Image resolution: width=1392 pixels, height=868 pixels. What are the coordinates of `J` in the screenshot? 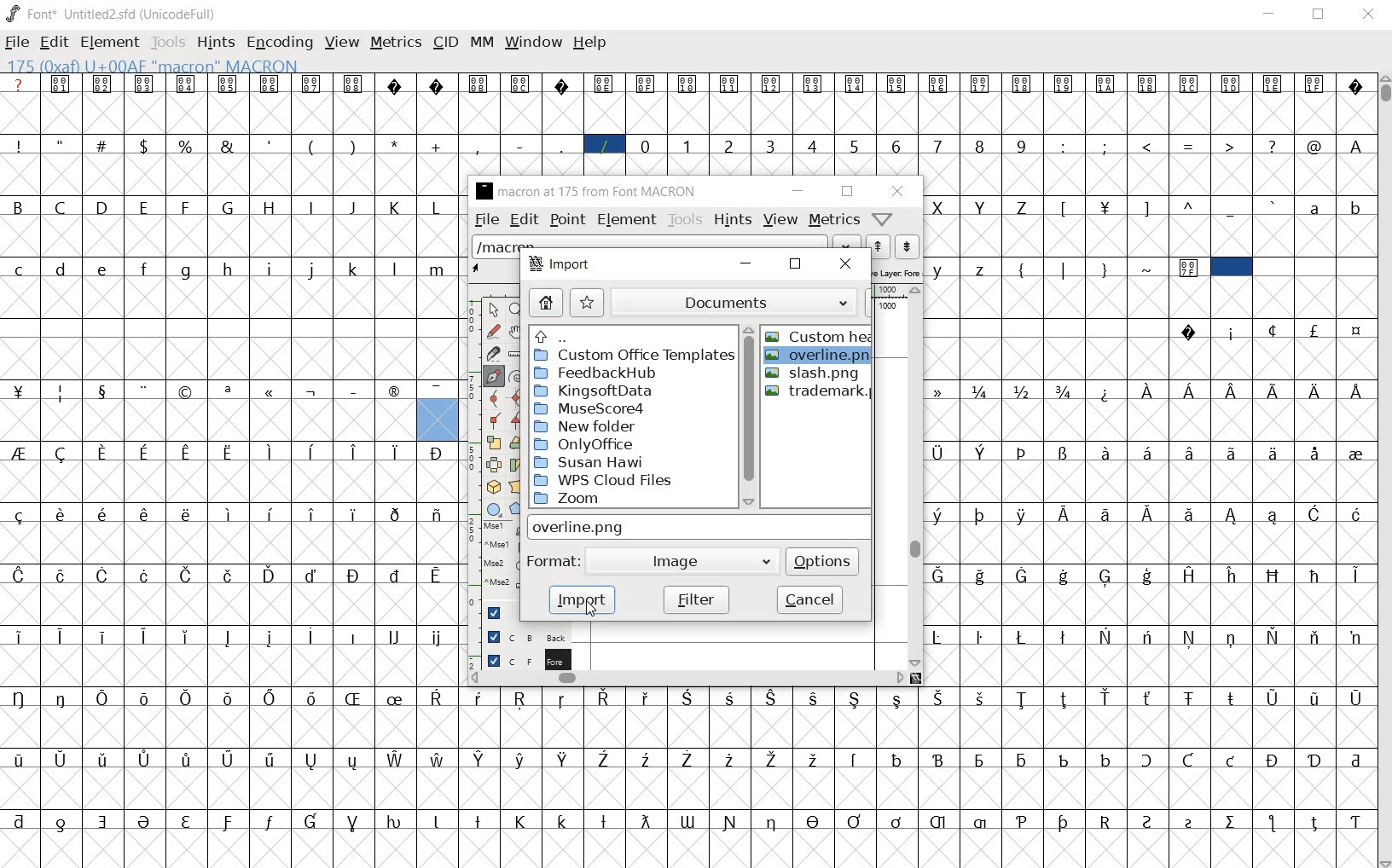 It's located at (354, 207).